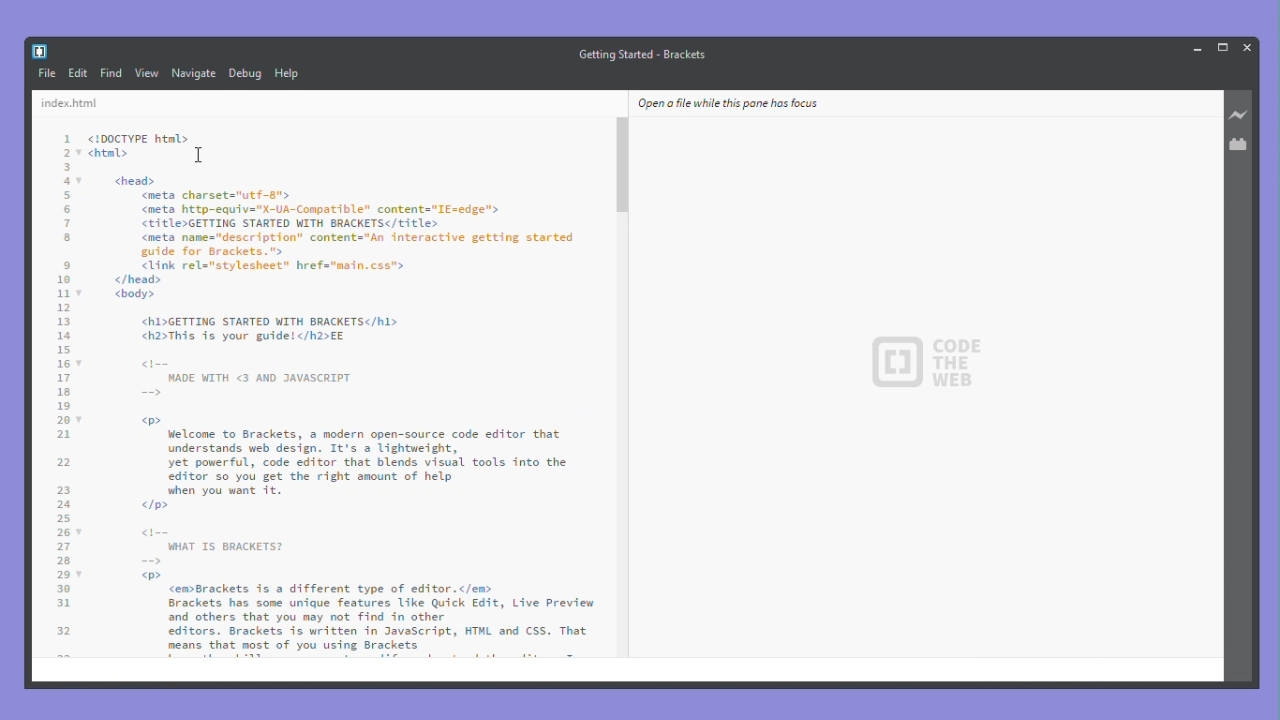 The width and height of the screenshot is (1280, 720). Describe the element at coordinates (1249, 46) in the screenshot. I see `Close` at that location.